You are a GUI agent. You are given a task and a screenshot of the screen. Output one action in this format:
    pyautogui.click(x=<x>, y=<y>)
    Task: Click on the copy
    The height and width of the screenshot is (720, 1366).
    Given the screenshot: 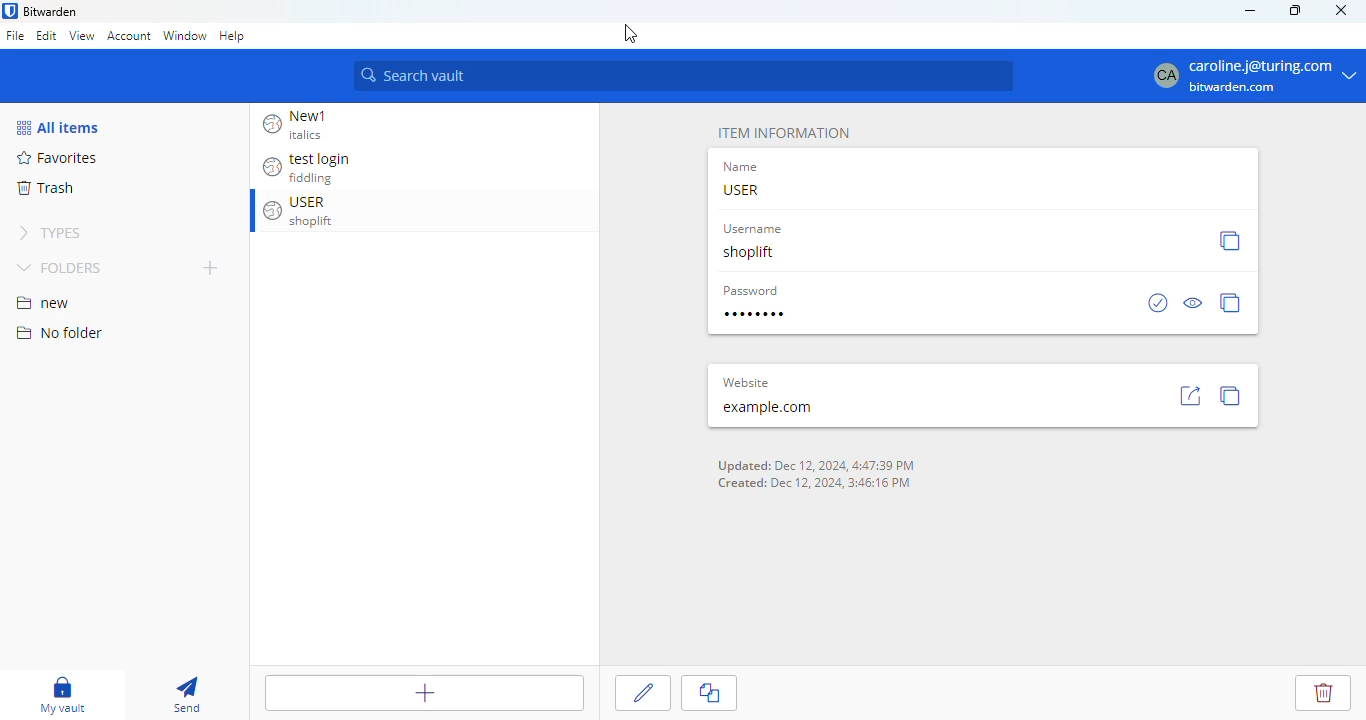 What is the action you would take?
    pyautogui.click(x=1232, y=396)
    